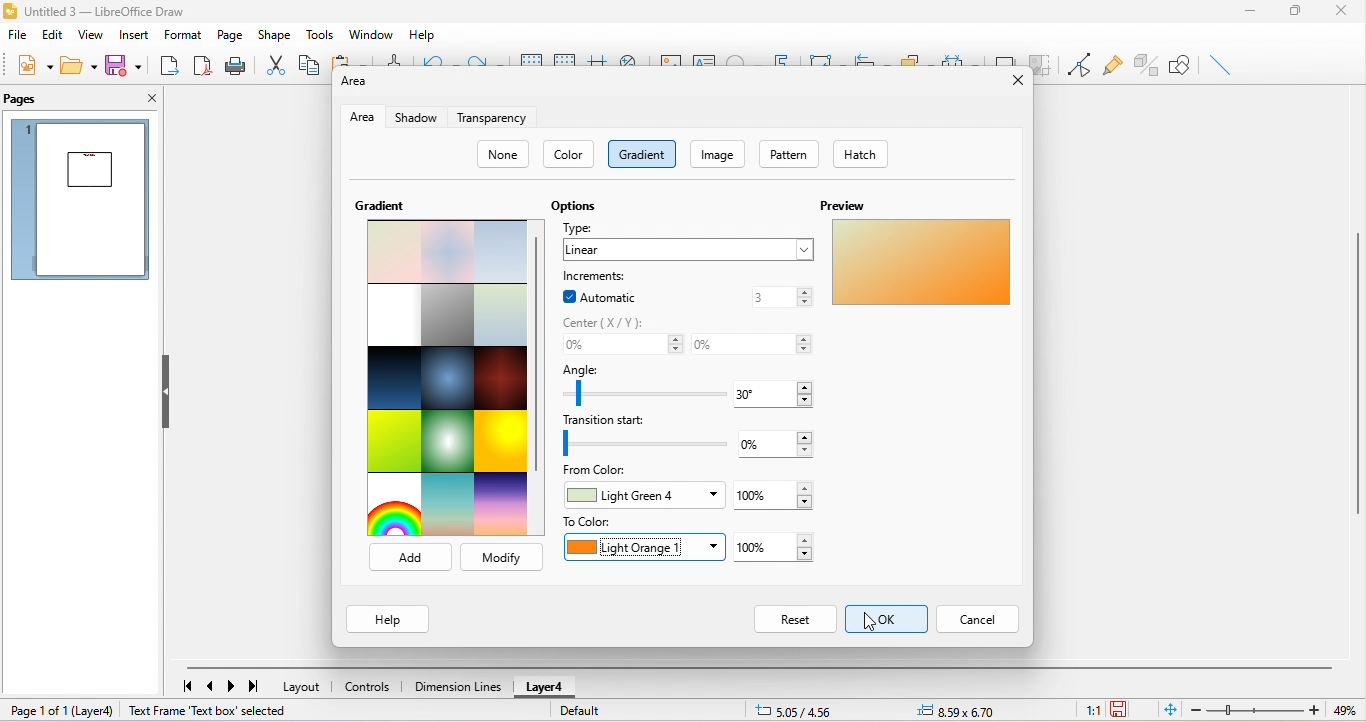  Describe the element at coordinates (781, 297) in the screenshot. I see `3` at that location.